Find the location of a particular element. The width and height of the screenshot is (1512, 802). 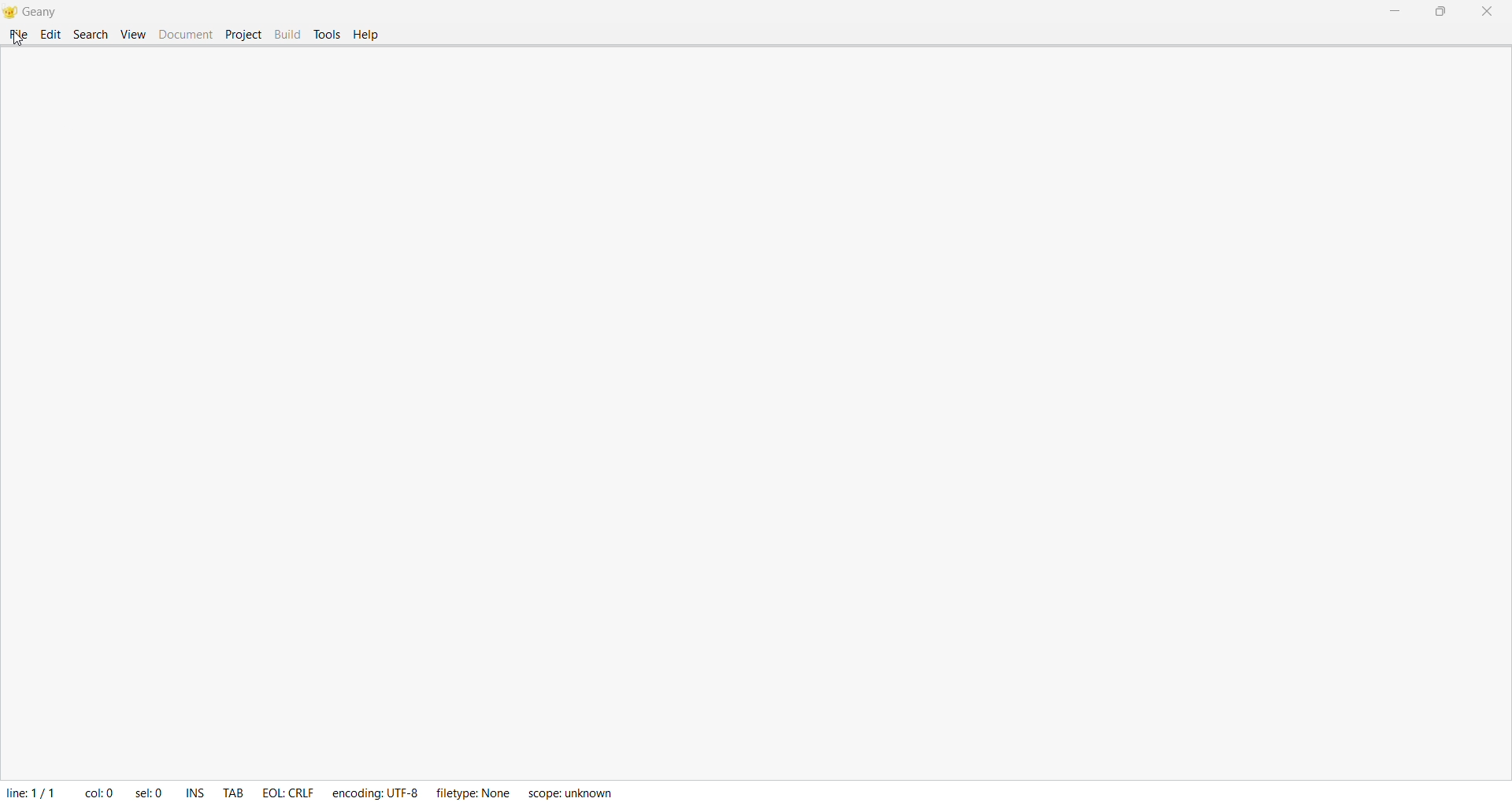

Edit is located at coordinates (52, 37).